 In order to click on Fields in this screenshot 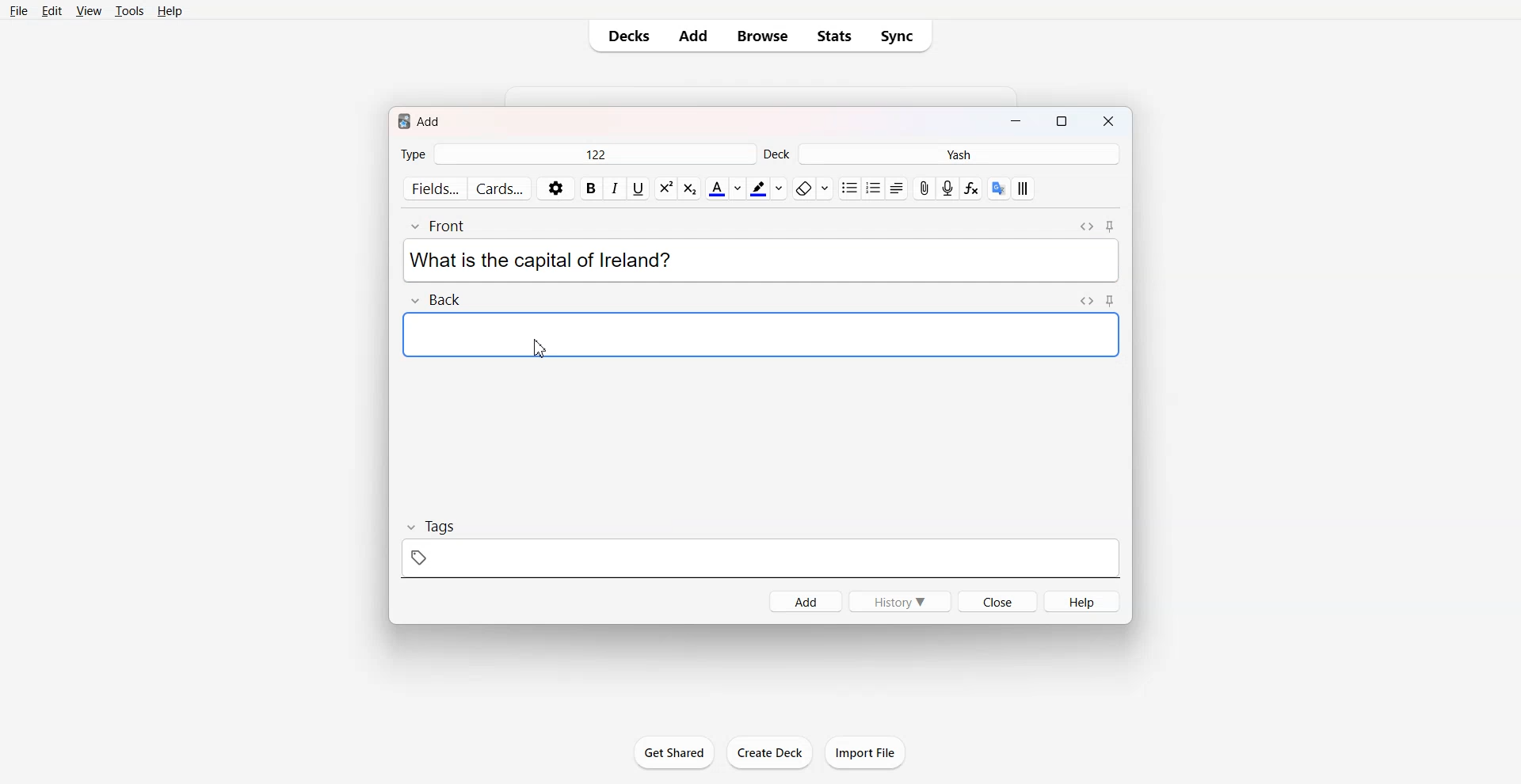, I will do `click(434, 188)`.